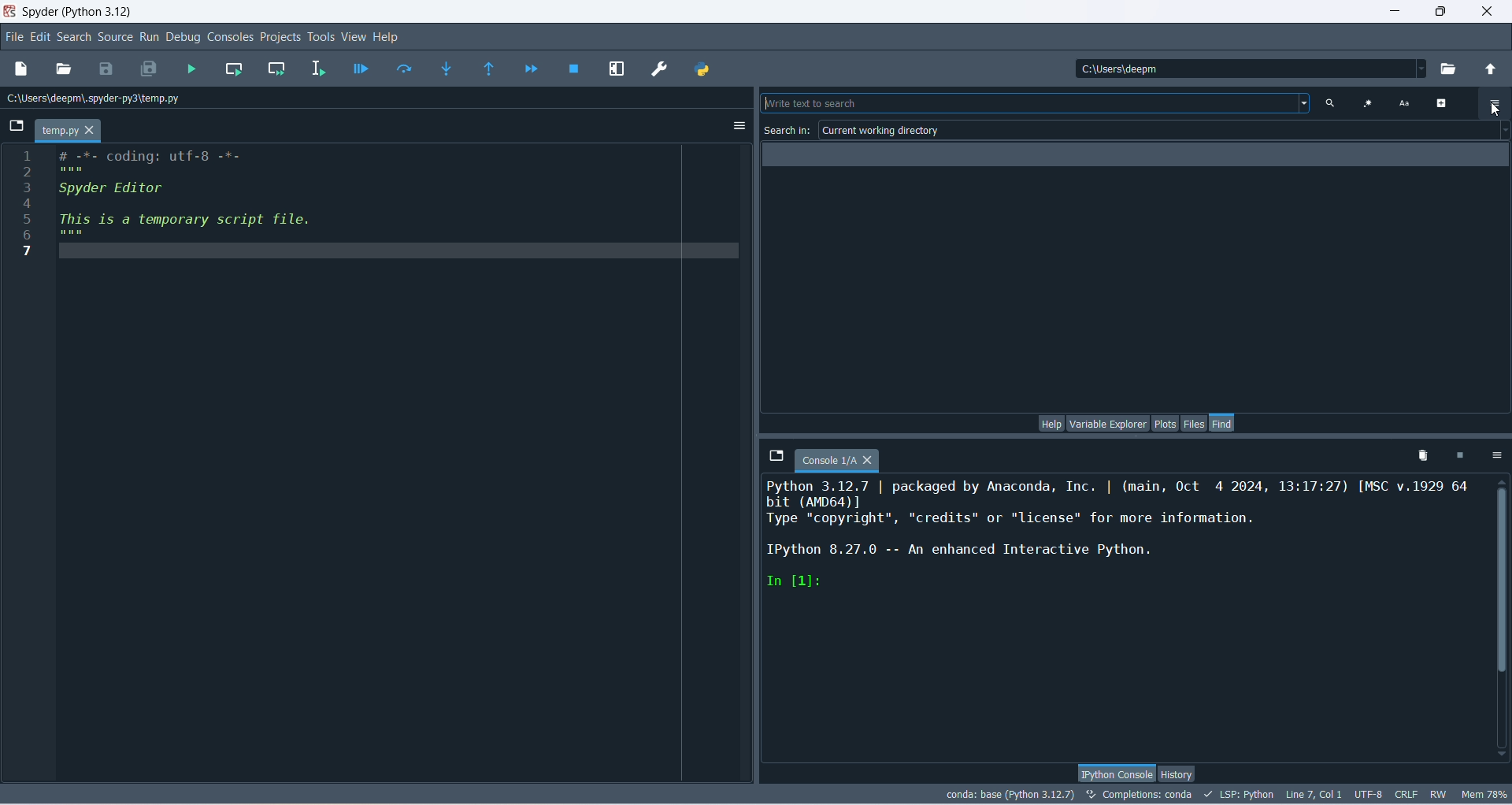 This screenshot has height=805, width=1512. What do you see at coordinates (1238, 795) in the screenshot?
I see `LSP:Python` at bounding box center [1238, 795].